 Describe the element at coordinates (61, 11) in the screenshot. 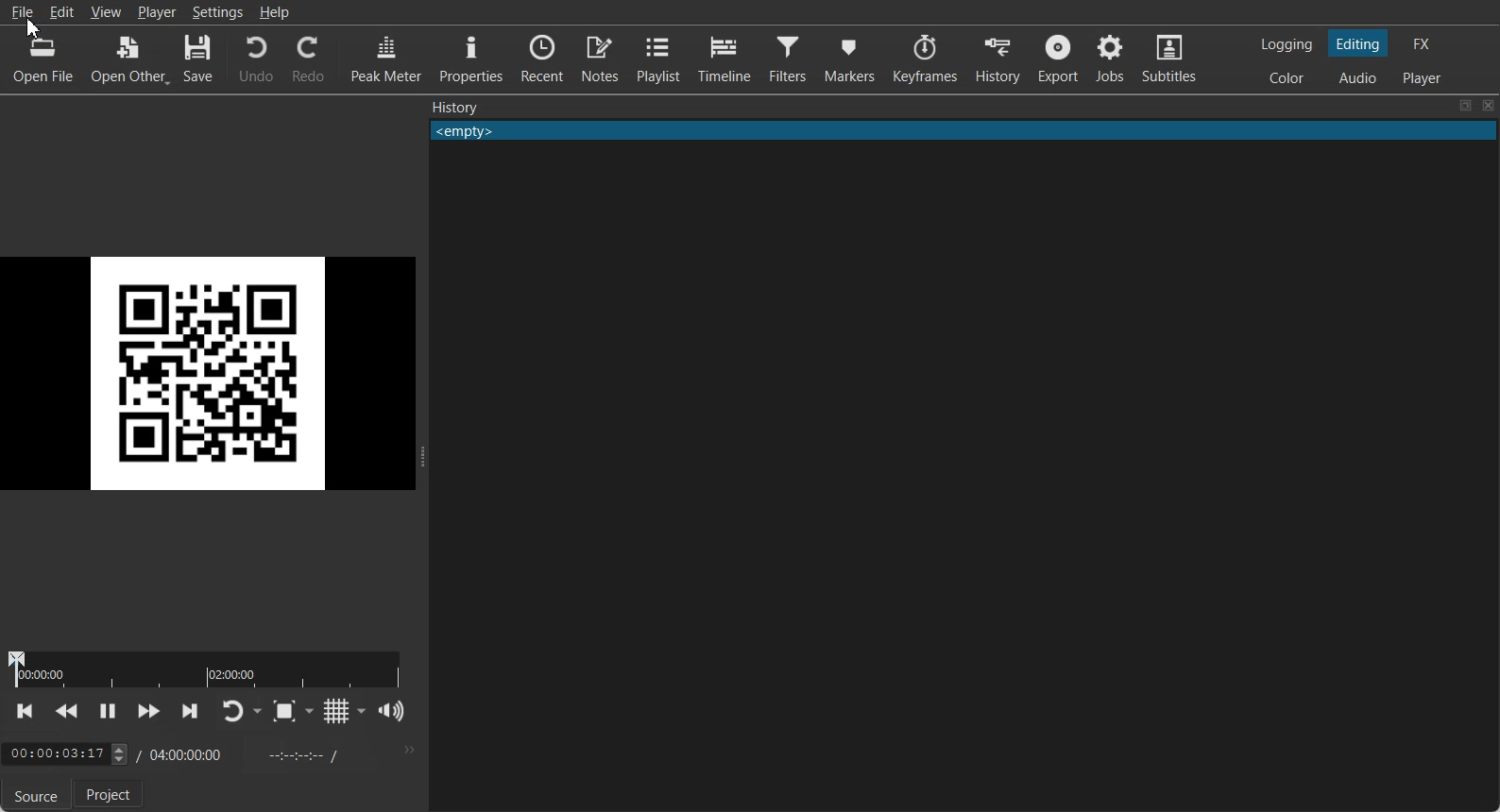

I see `Edit` at that location.